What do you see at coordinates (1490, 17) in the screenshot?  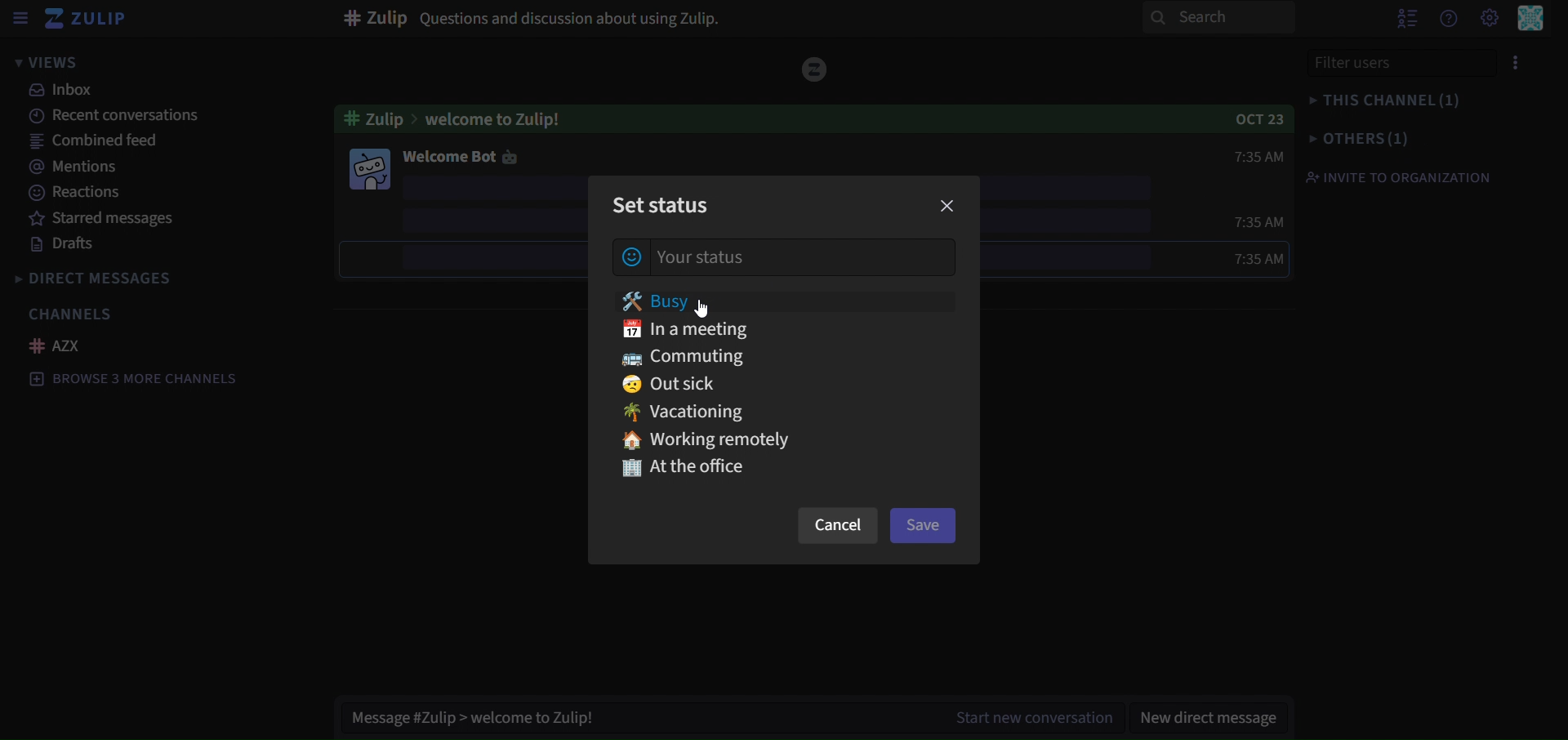 I see `main menu` at bounding box center [1490, 17].